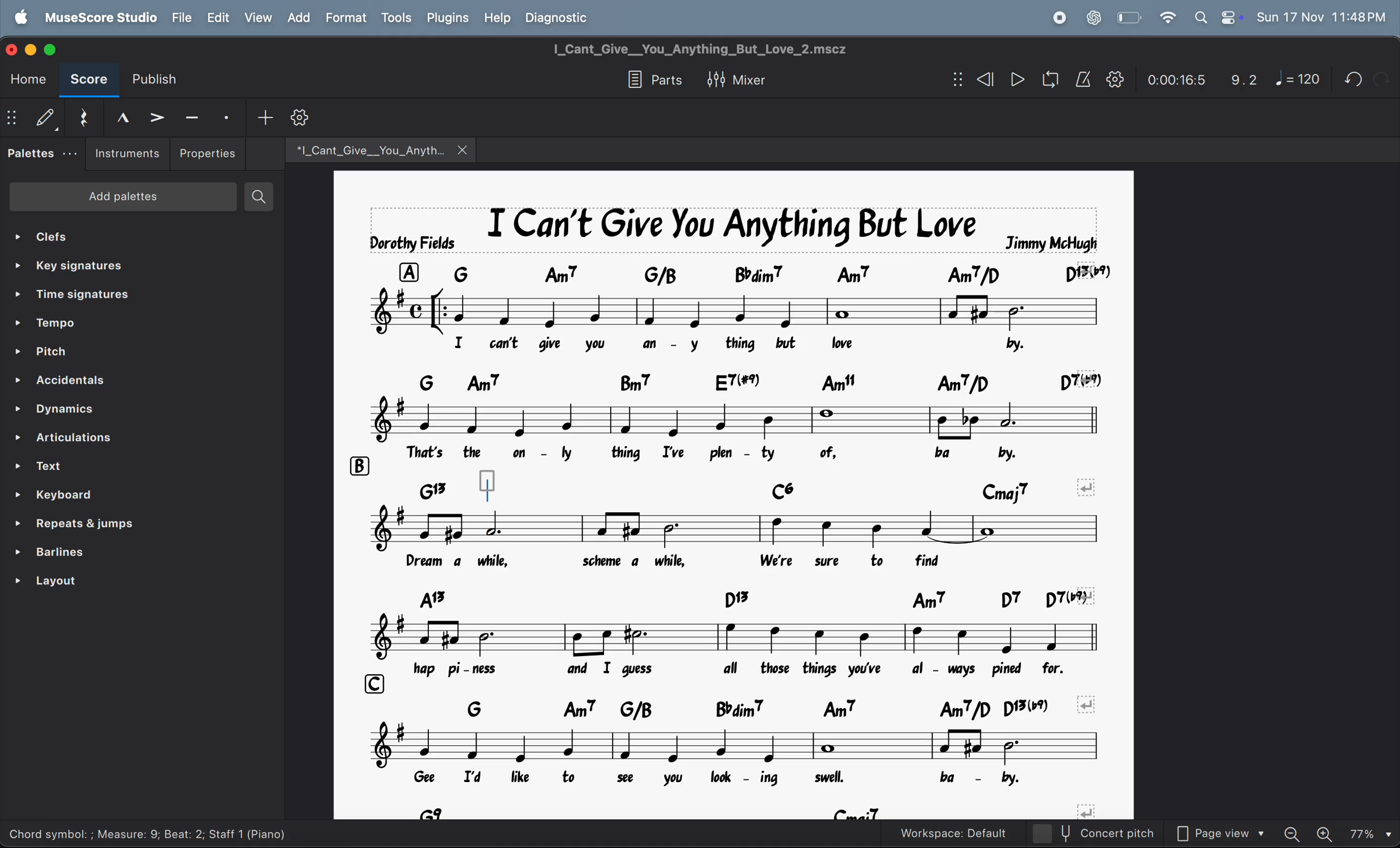 The width and height of the screenshot is (1400, 848). I want to click on staccato, so click(230, 117).